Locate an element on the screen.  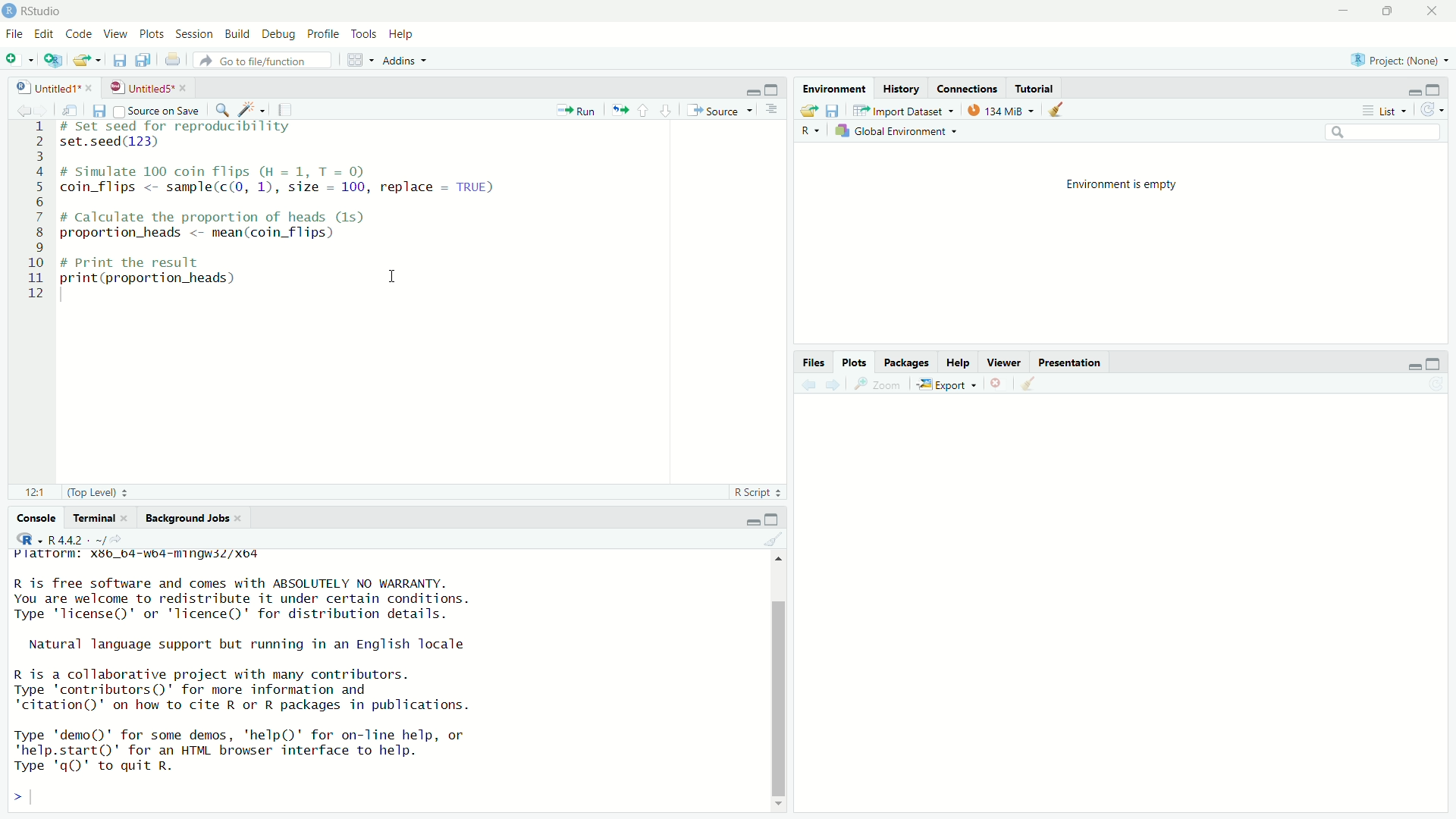
clear all plots is located at coordinates (1030, 385).